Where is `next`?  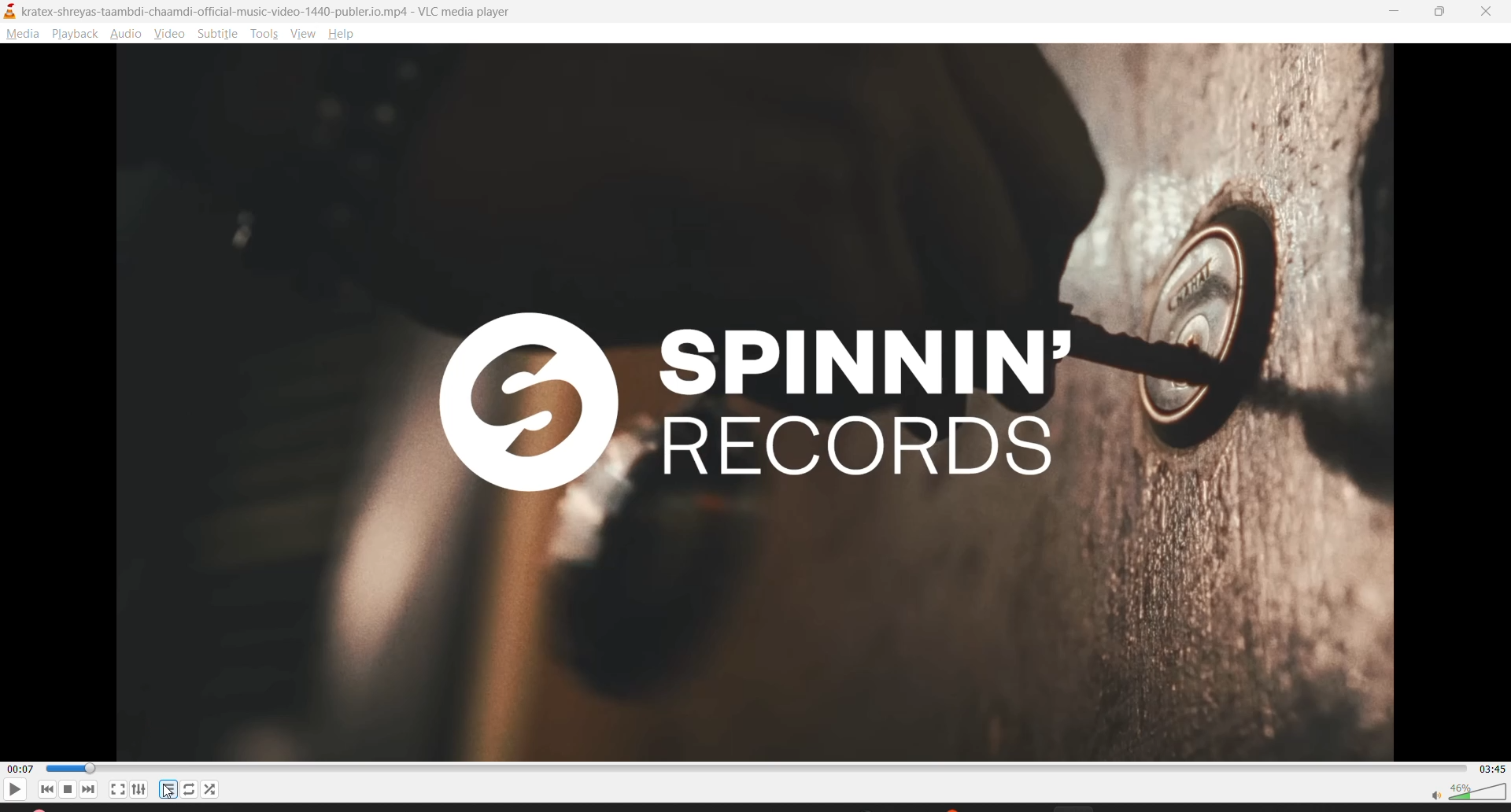
next is located at coordinates (91, 791).